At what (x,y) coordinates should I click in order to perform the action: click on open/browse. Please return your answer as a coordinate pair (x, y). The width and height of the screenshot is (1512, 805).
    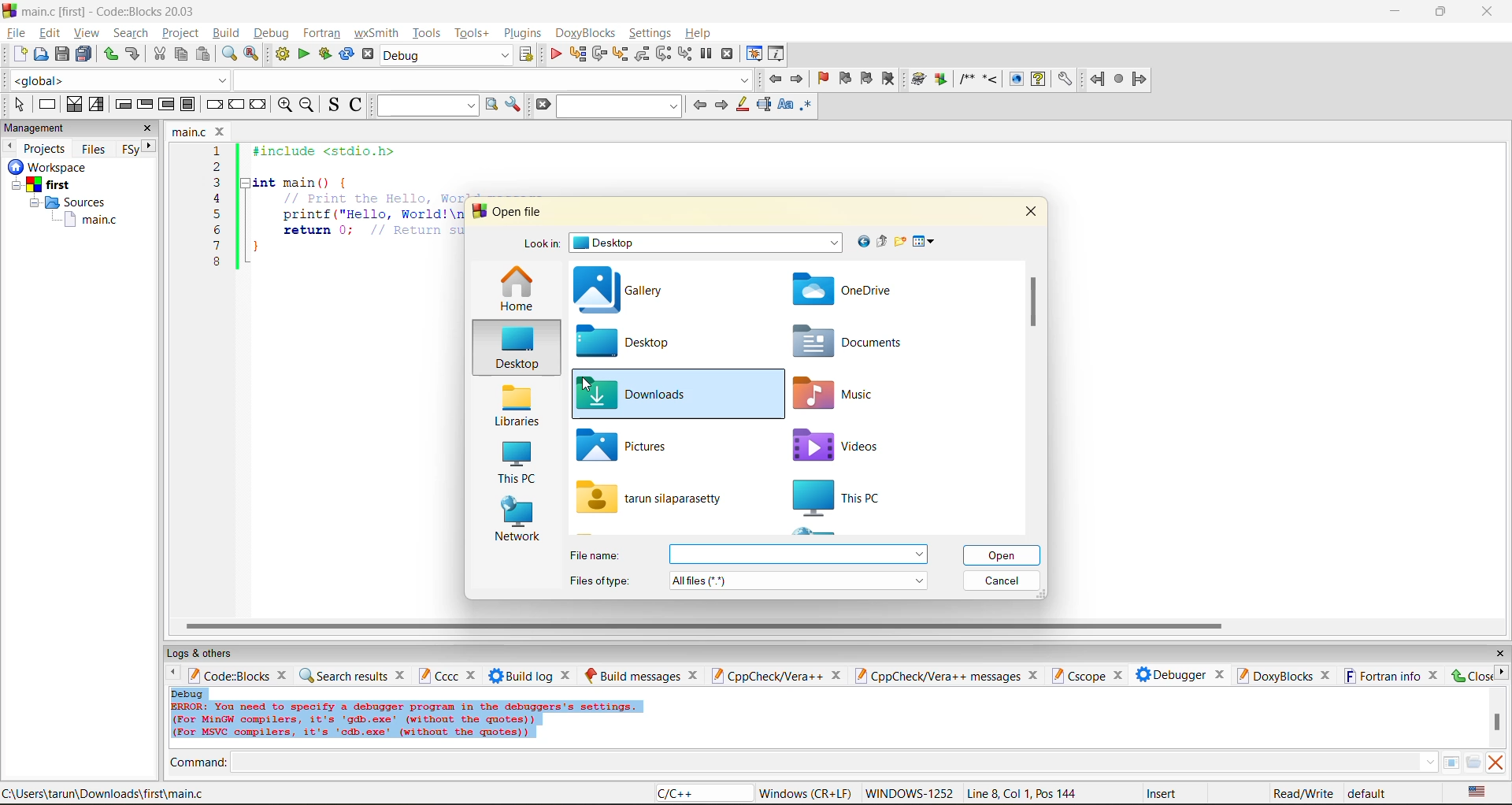
    Looking at the image, I should click on (1473, 763).